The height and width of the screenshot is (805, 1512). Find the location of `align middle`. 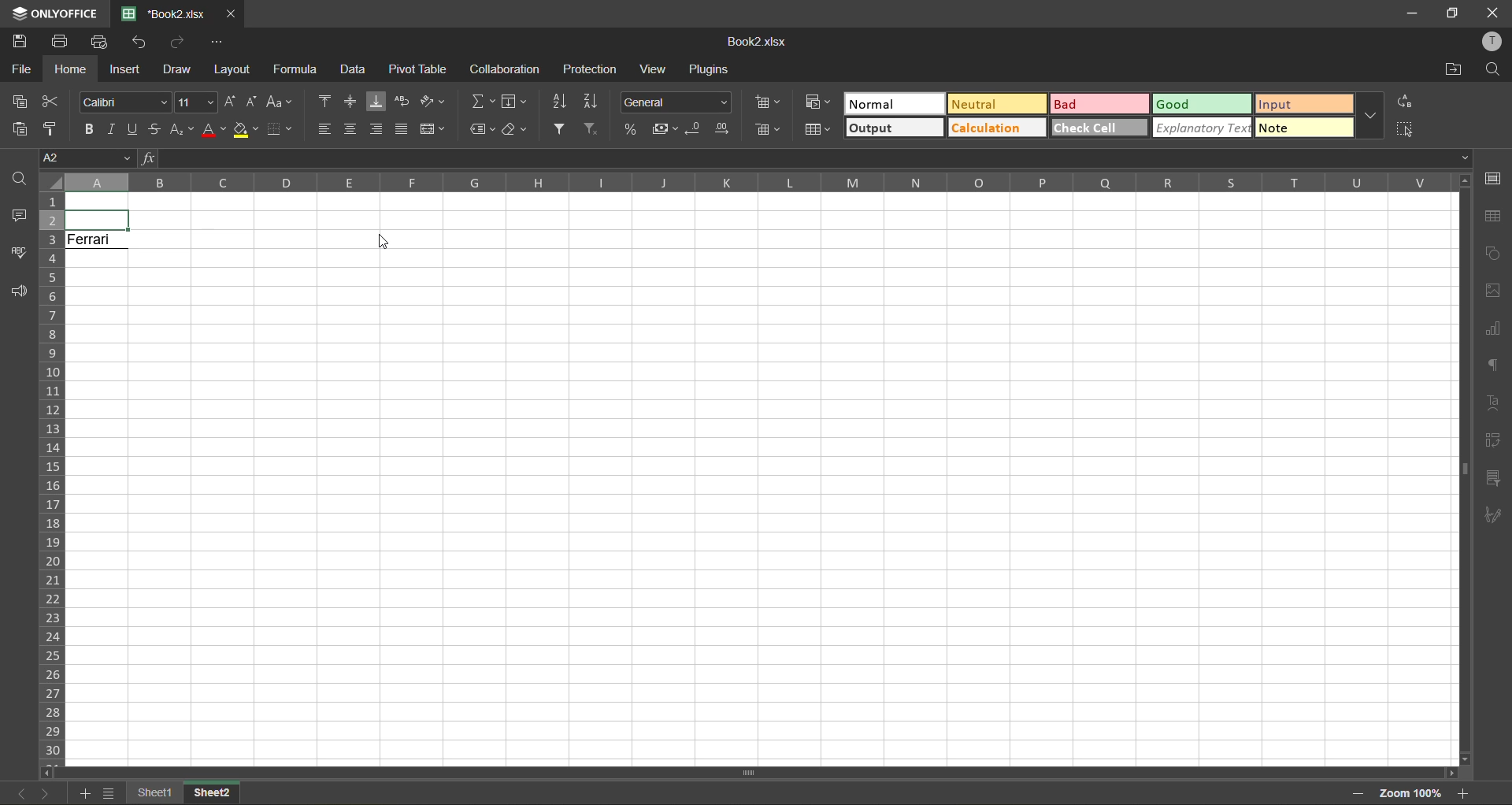

align middle is located at coordinates (350, 103).